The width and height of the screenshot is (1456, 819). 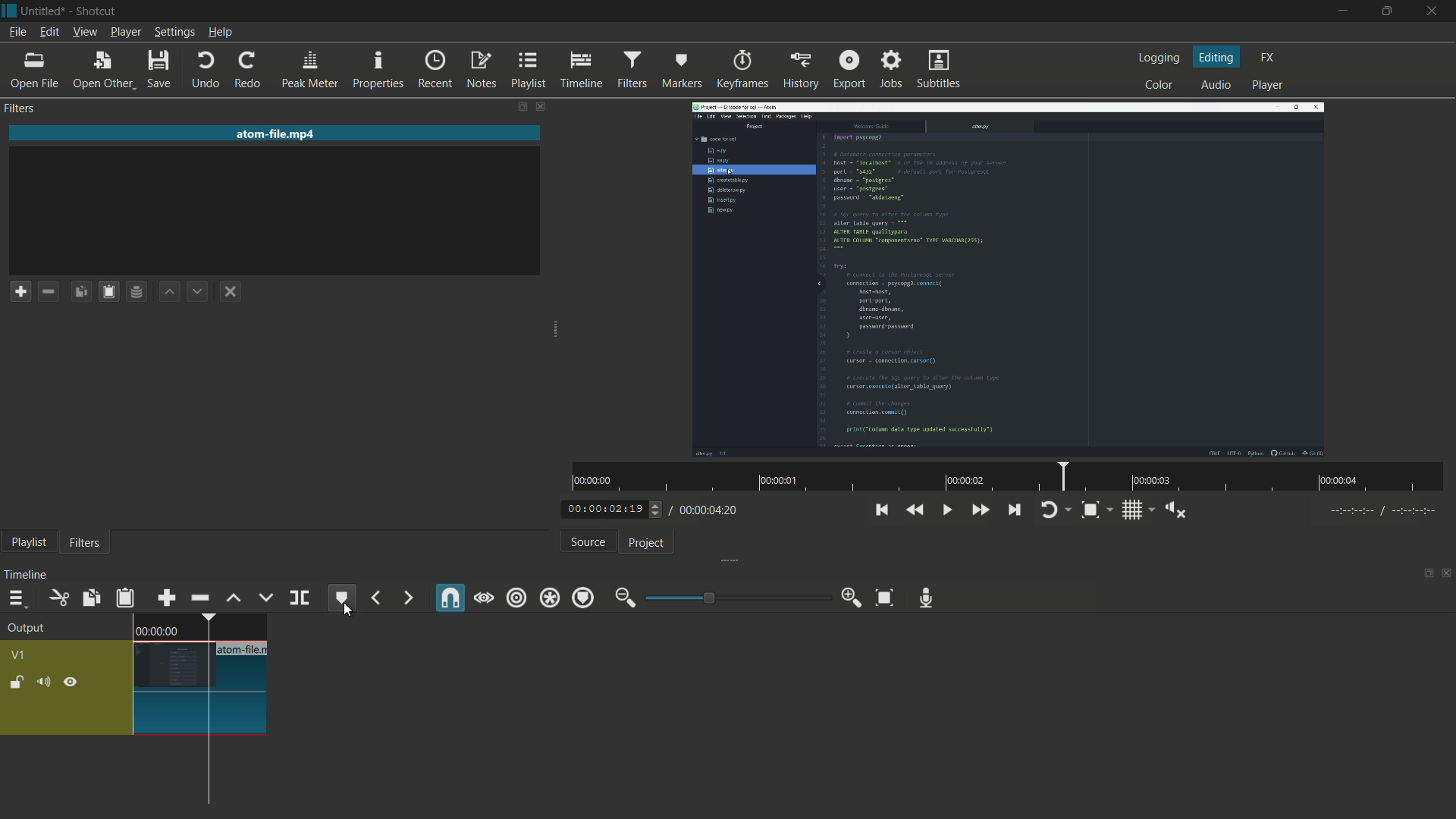 I want to click on filters, so click(x=20, y=108).